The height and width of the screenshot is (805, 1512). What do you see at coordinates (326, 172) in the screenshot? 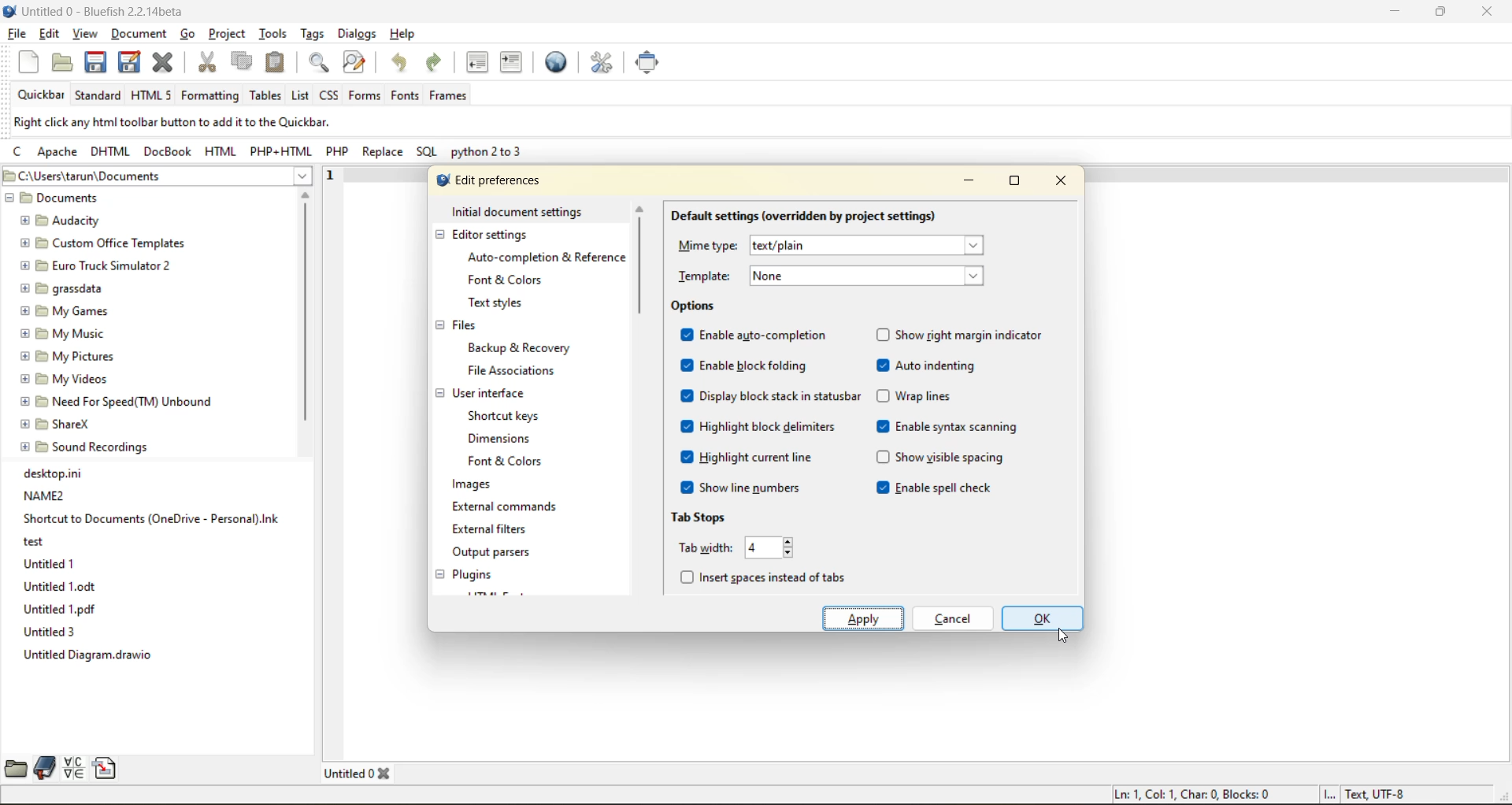
I see `1` at bounding box center [326, 172].